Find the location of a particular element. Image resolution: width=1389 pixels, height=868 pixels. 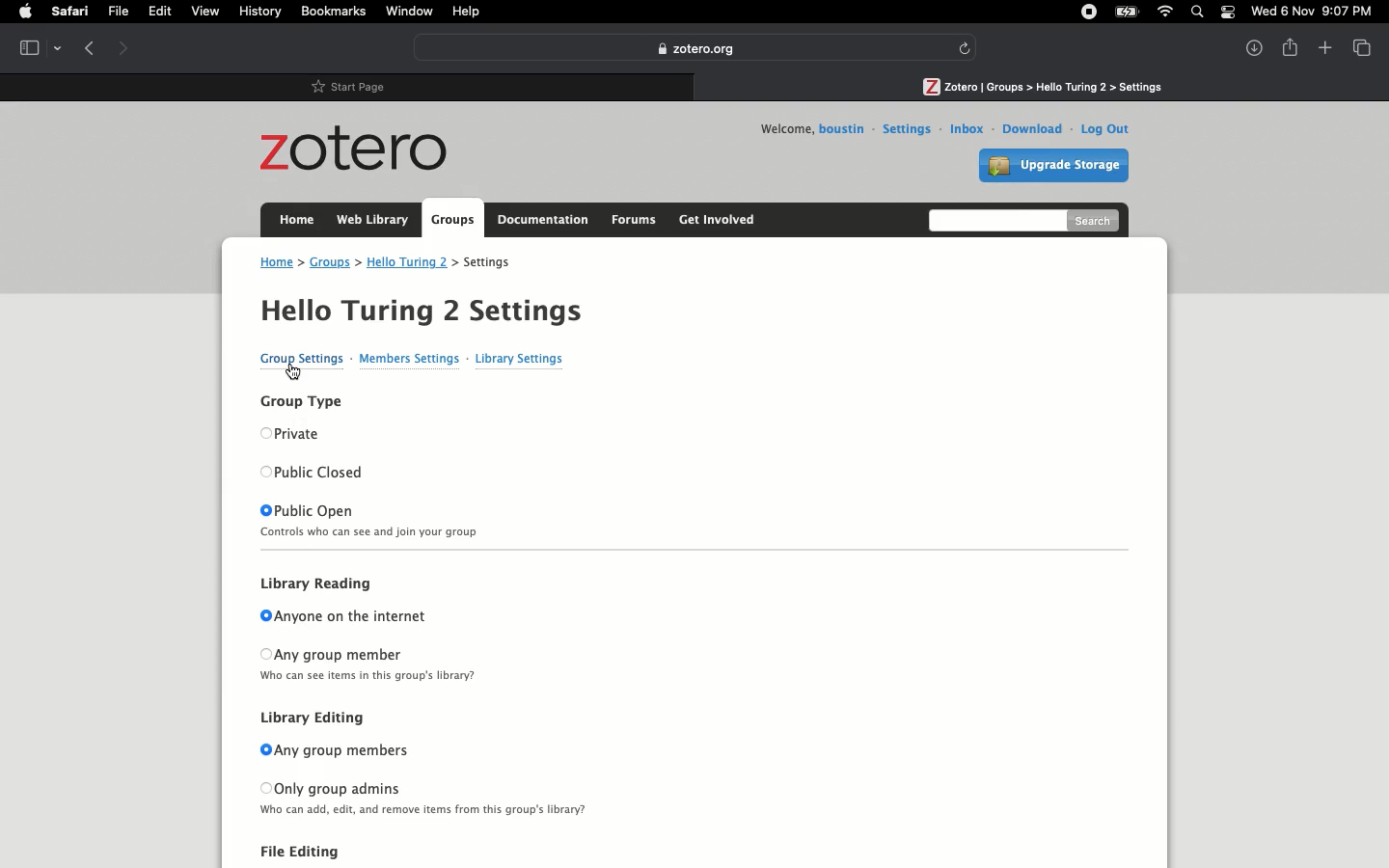

Safari is located at coordinates (72, 12).